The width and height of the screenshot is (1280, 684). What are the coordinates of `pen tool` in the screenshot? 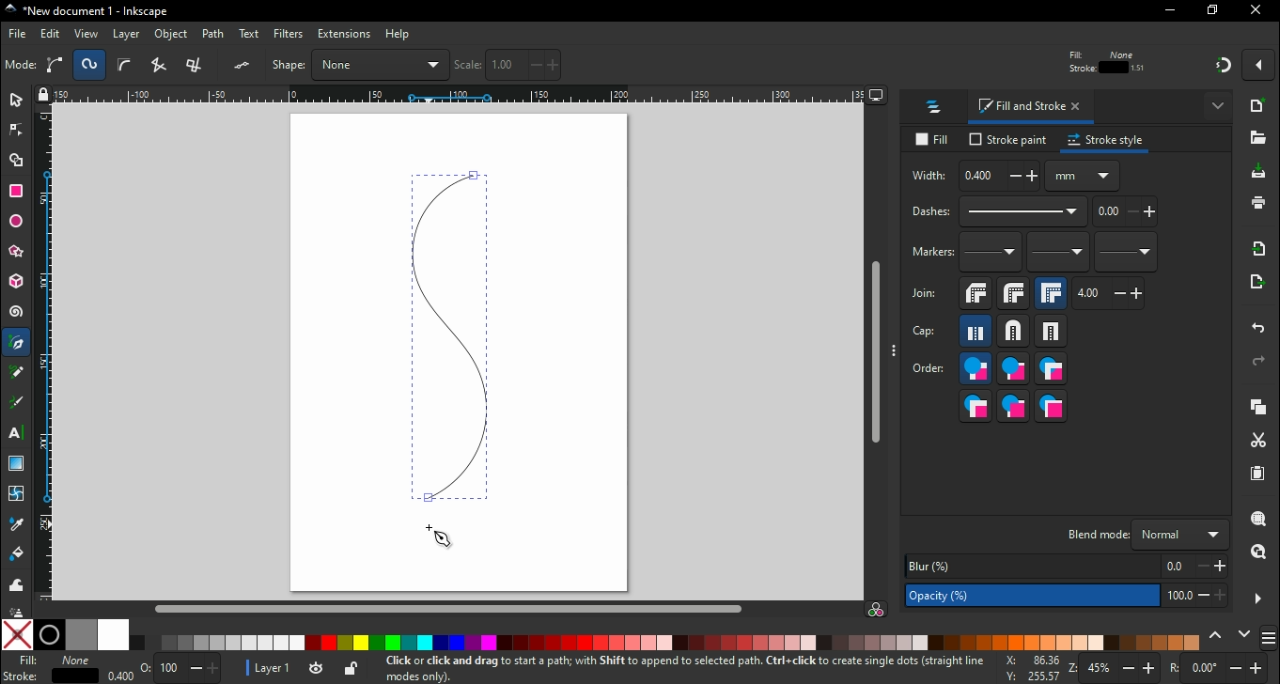 It's located at (18, 343).